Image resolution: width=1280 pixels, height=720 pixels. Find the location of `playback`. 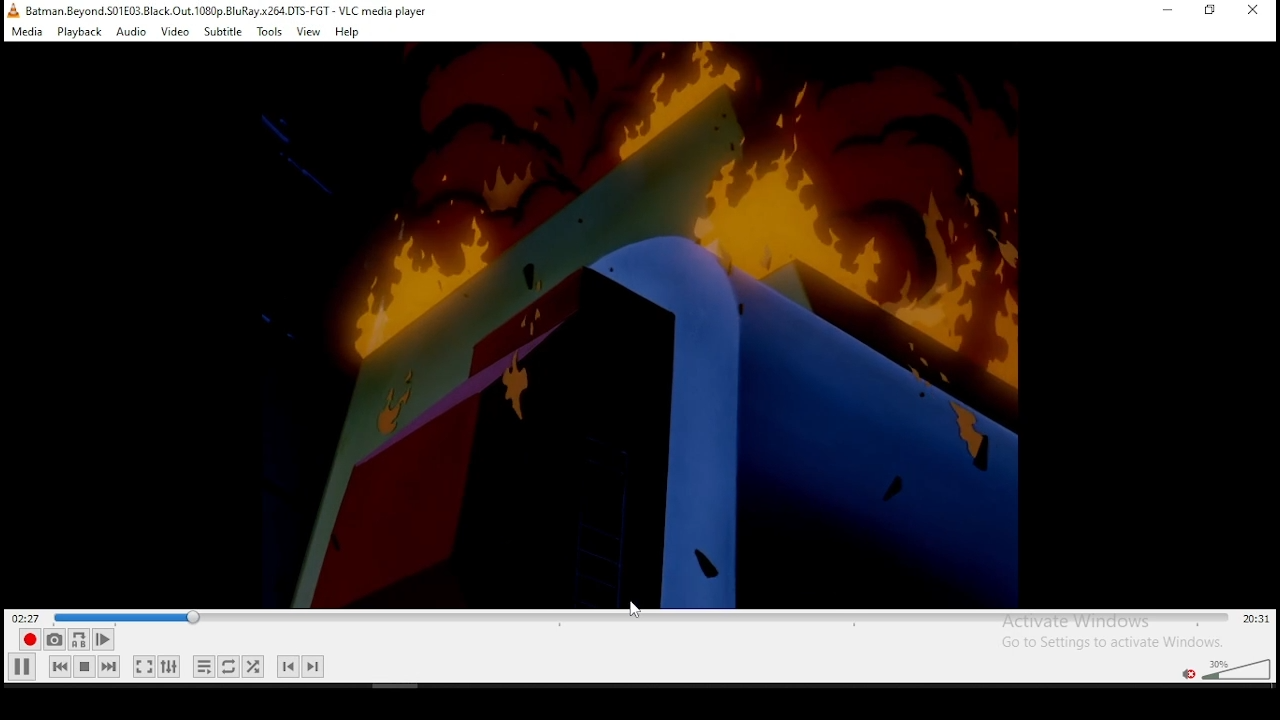

playback is located at coordinates (78, 31).